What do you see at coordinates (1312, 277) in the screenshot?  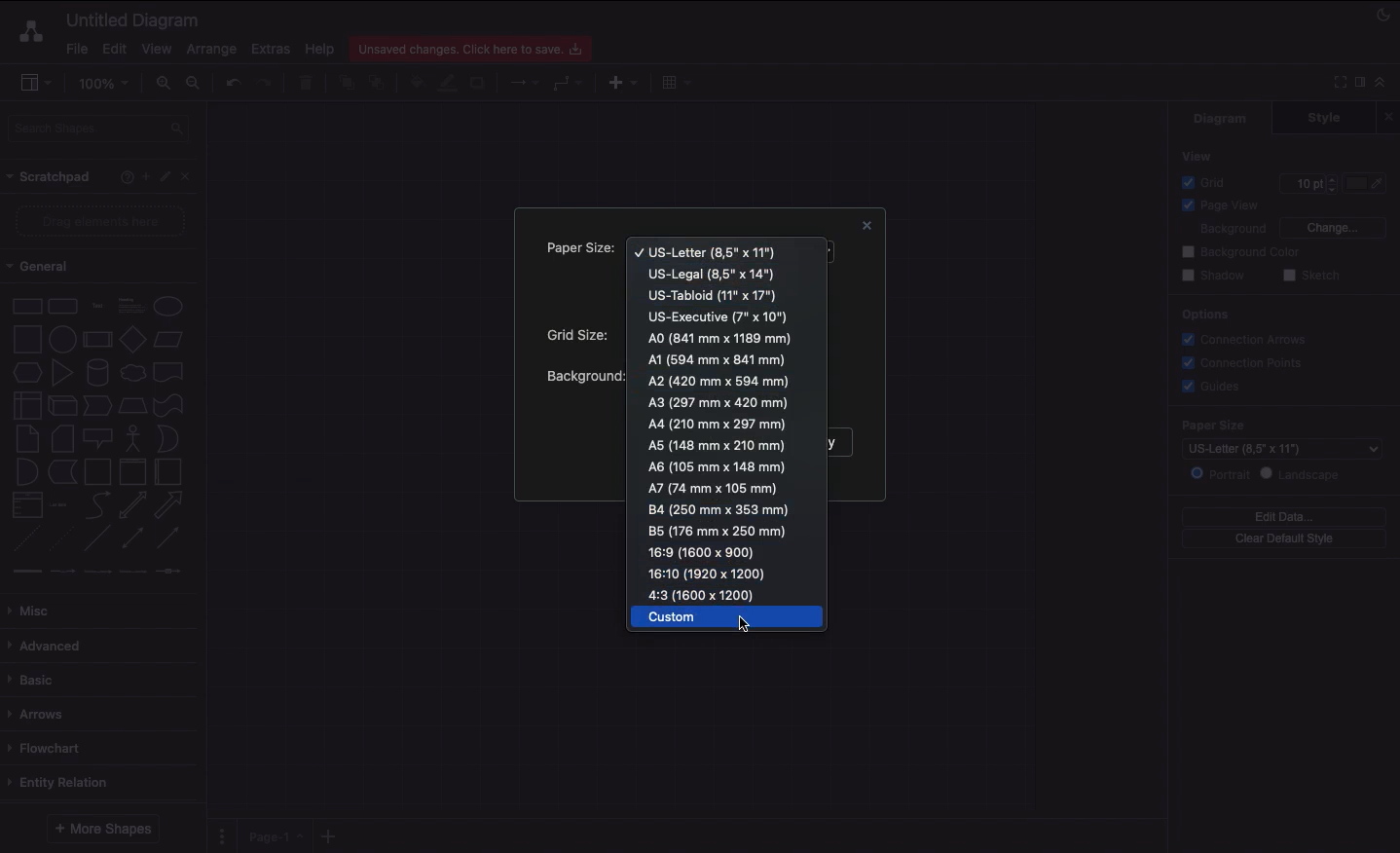 I see `Sketch ` at bounding box center [1312, 277].